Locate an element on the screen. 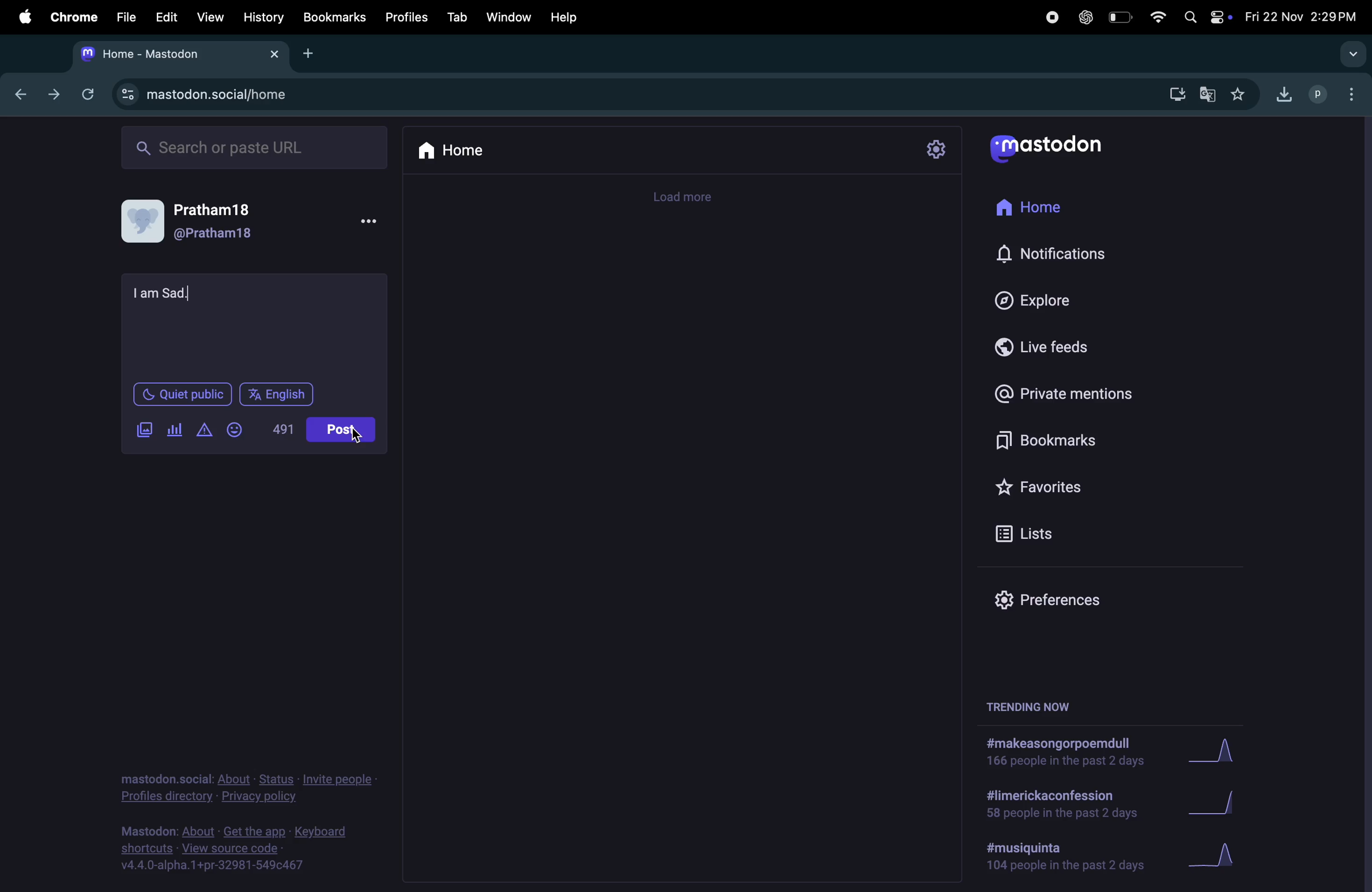  graphs is located at coordinates (1251, 855).